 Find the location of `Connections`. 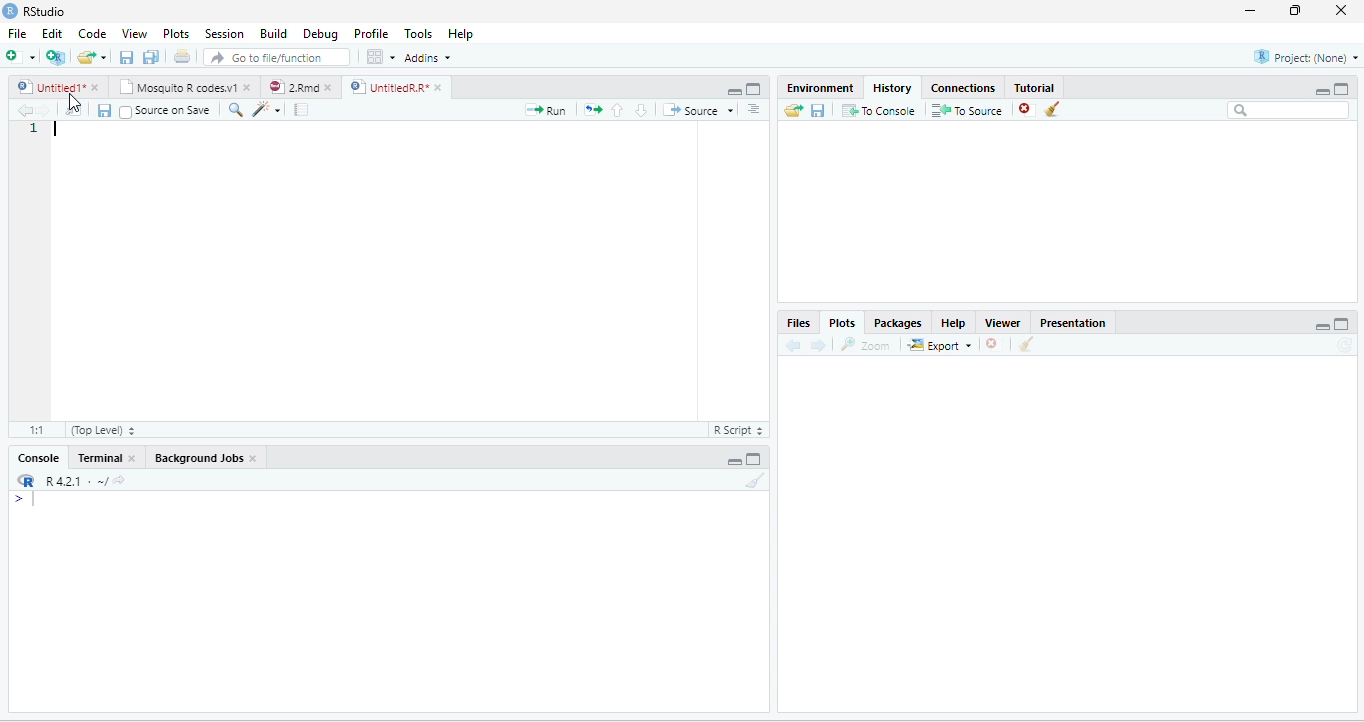

Connections is located at coordinates (964, 87).